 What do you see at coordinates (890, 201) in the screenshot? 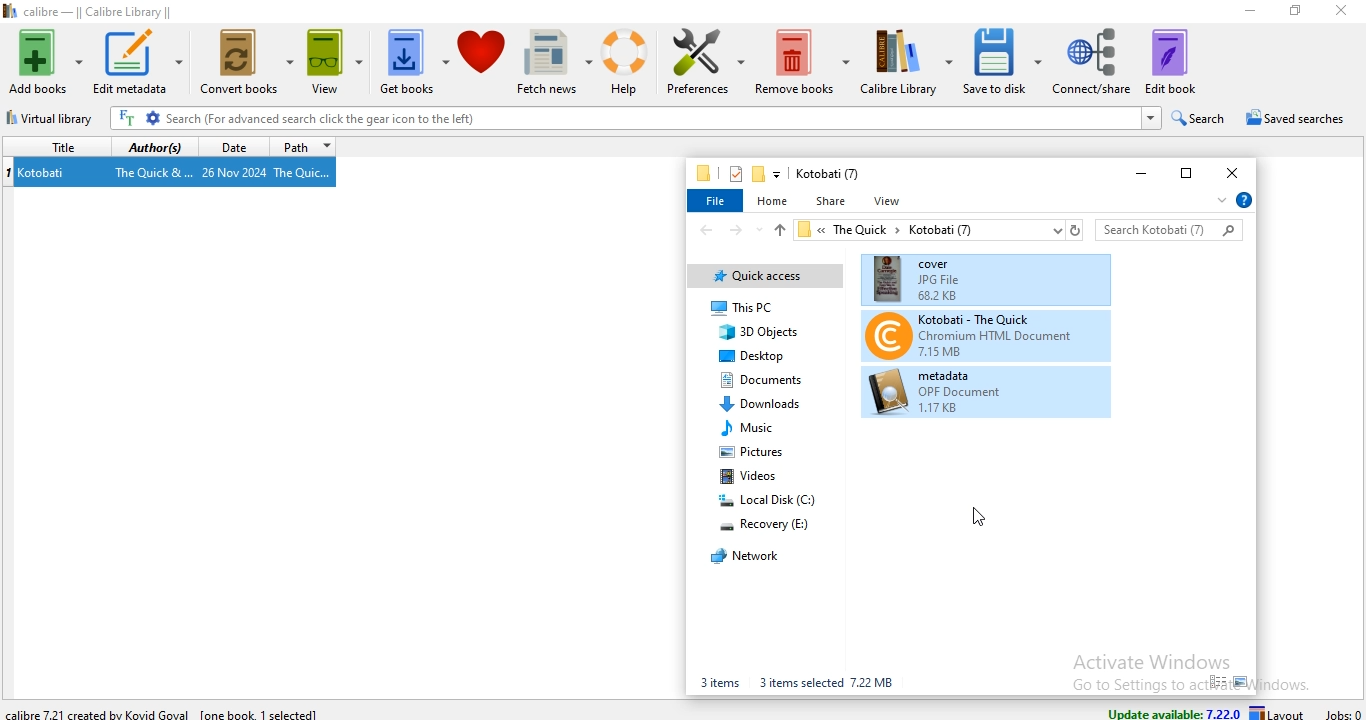
I see `view` at bounding box center [890, 201].